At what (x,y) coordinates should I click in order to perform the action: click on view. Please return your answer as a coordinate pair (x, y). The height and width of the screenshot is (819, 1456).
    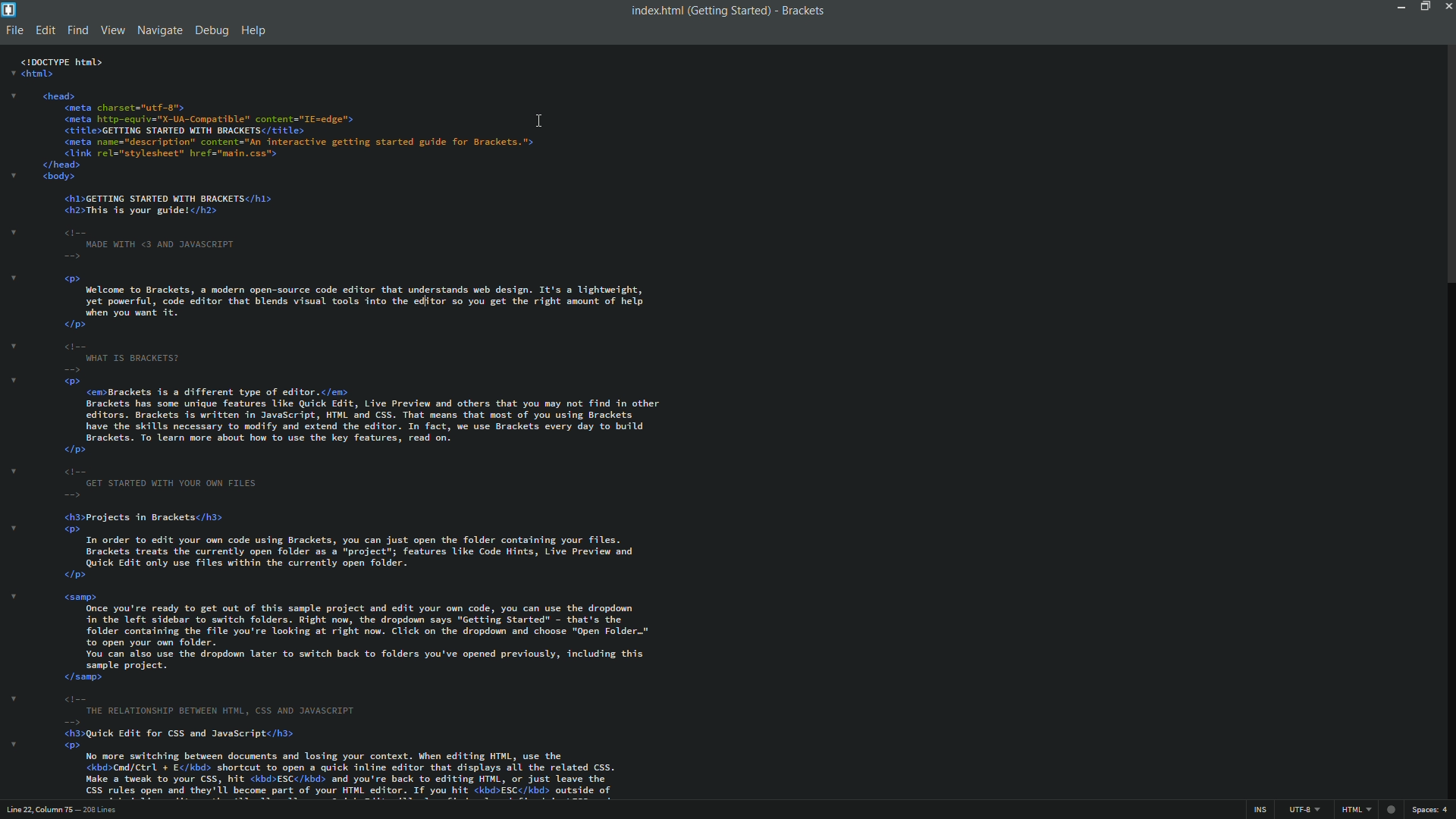
    Looking at the image, I should click on (112, 30).